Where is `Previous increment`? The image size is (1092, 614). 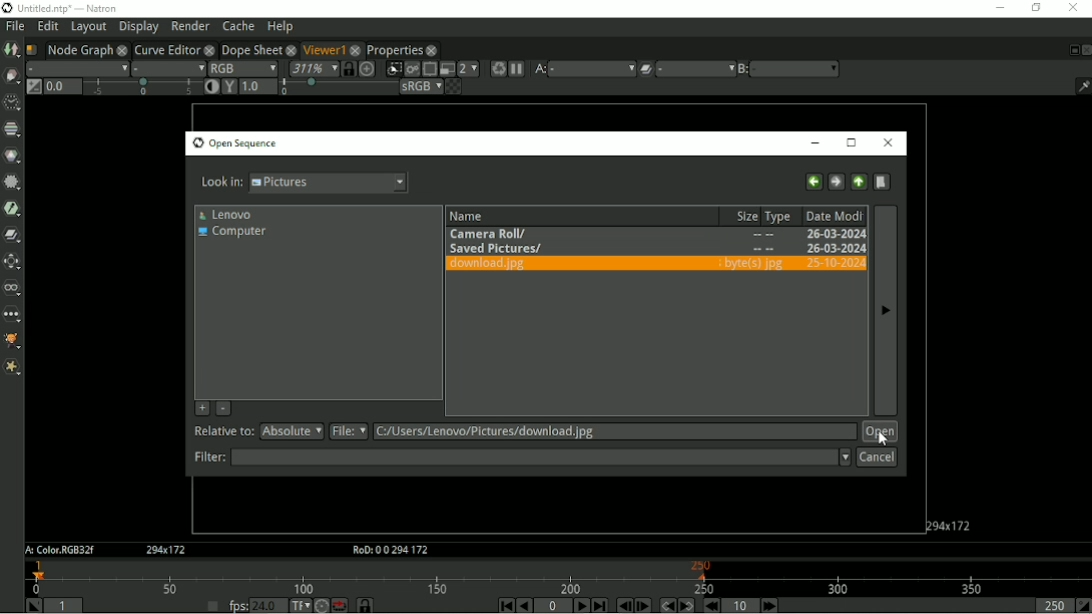 Previous increment is located at coordinates (713, 605).